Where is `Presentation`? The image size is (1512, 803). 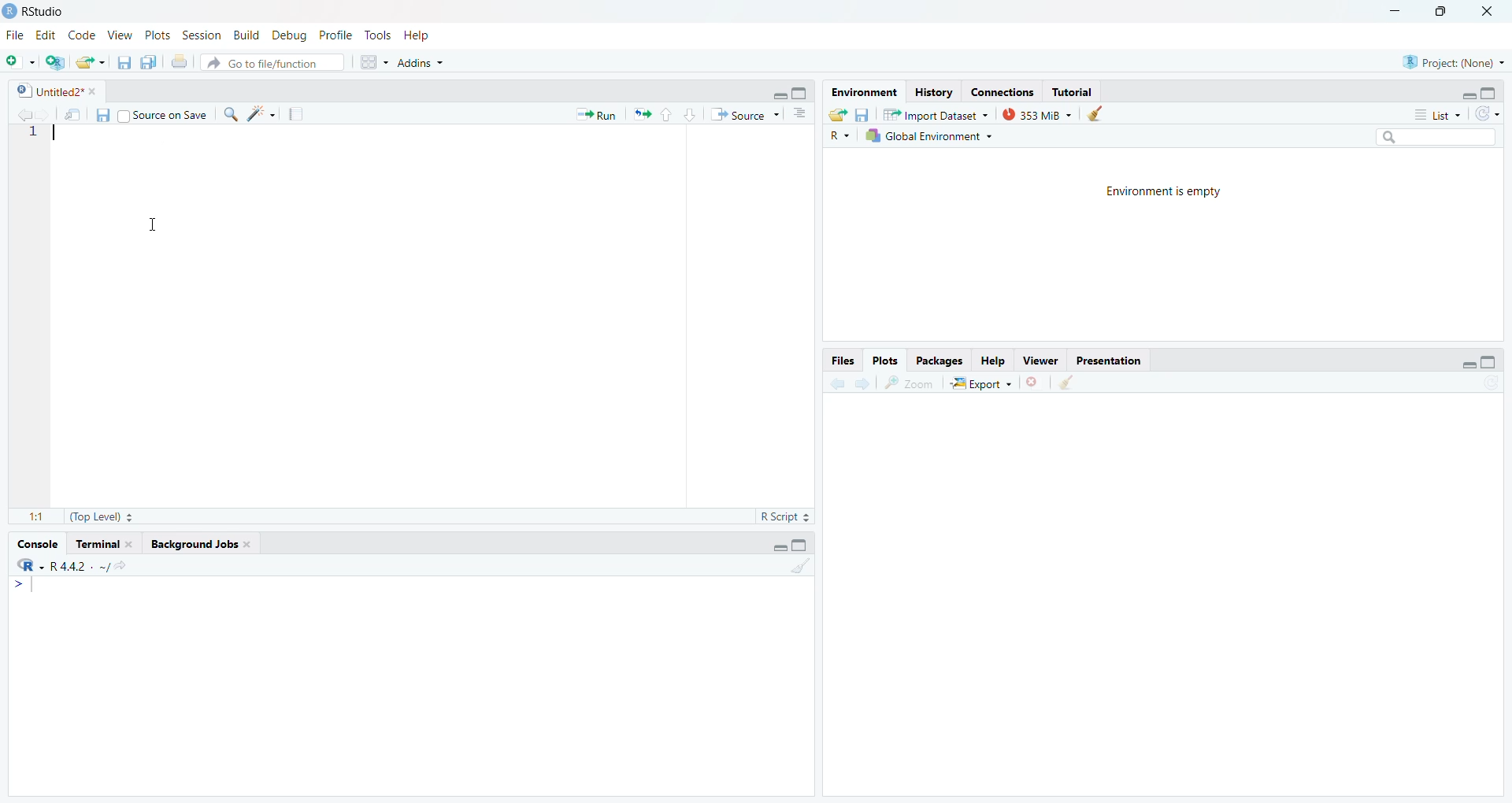
Presentation is located at coordinates (1111, 361).